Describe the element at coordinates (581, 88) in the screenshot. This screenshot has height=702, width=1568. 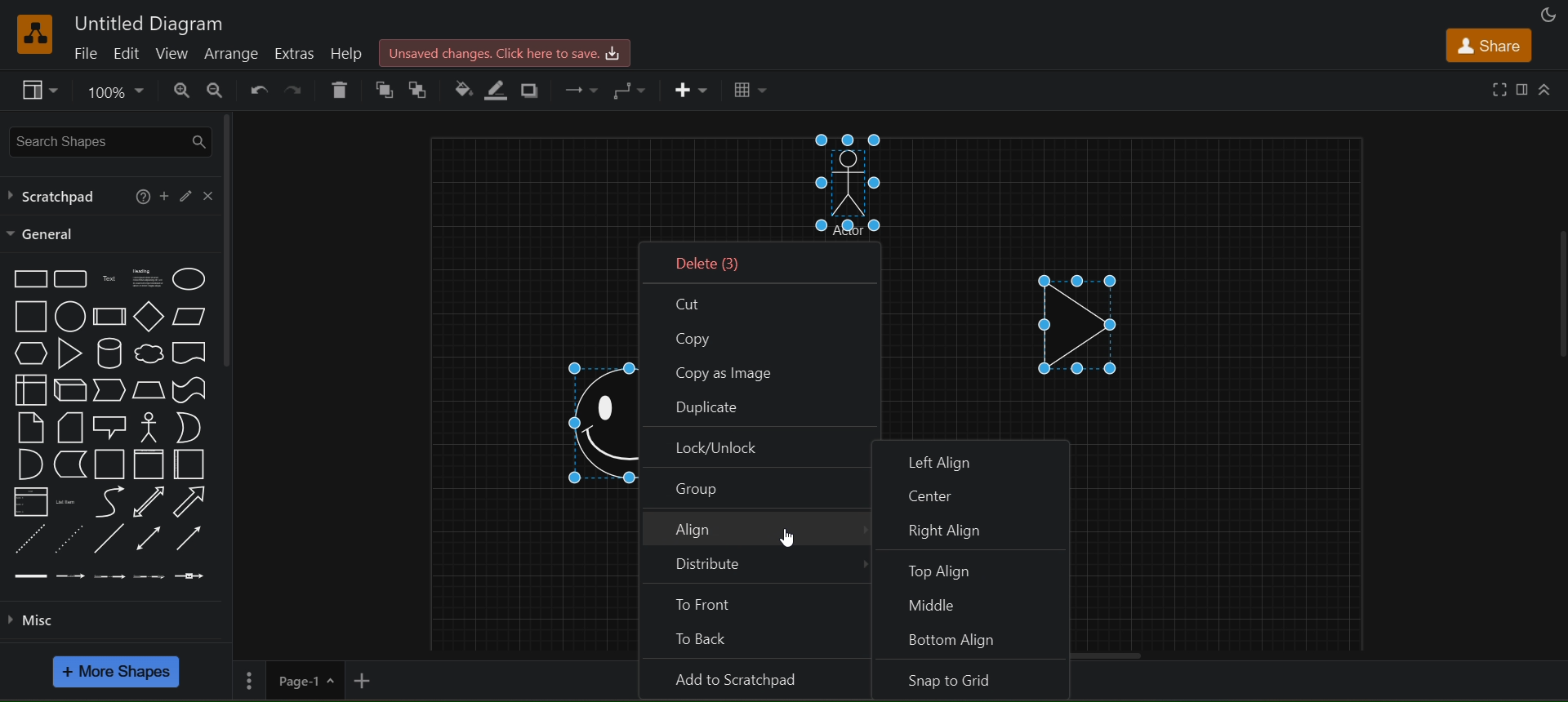
I see `connection` at that location.